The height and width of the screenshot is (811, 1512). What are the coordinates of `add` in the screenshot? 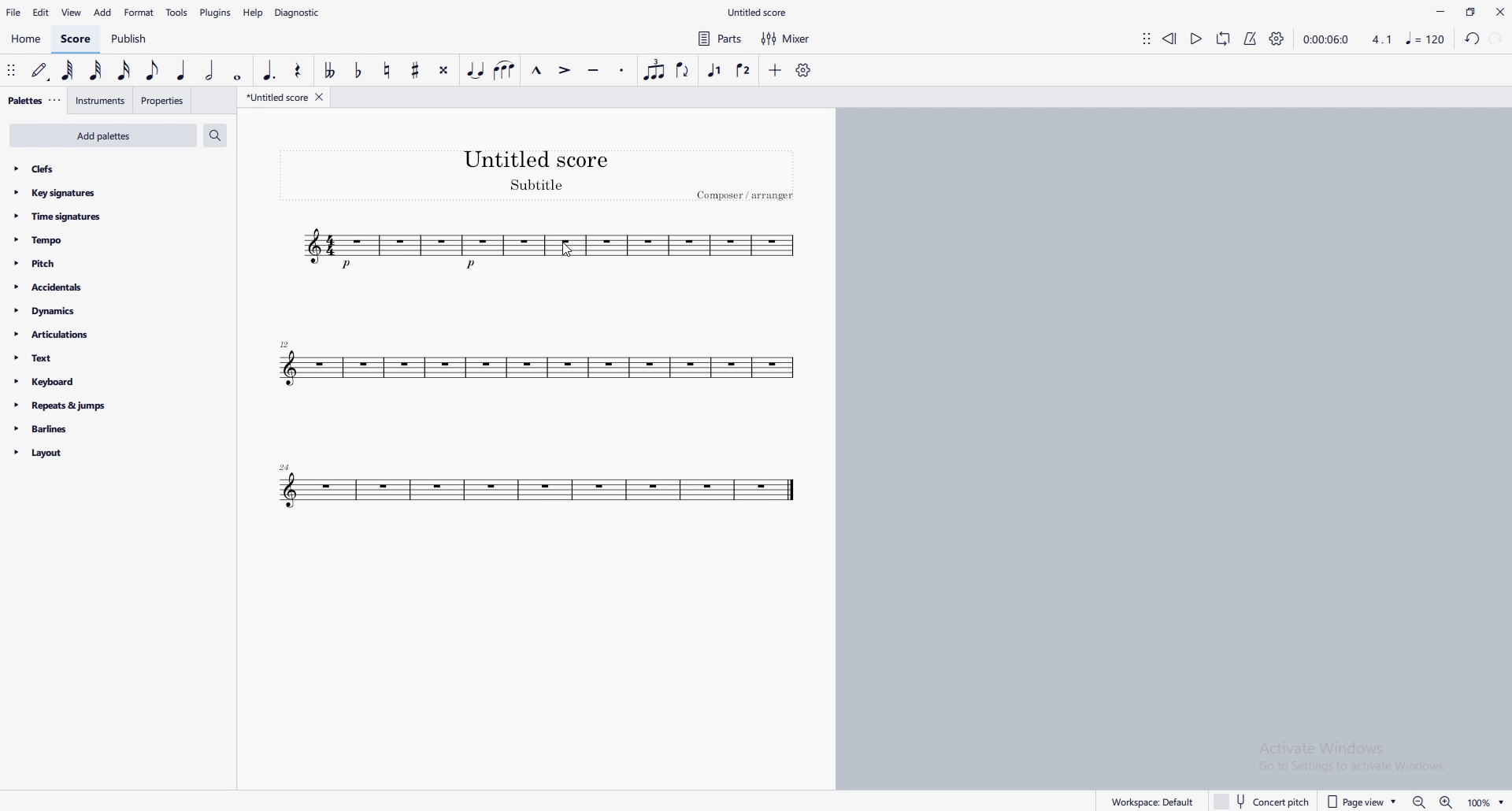 It's located at (103, 13).